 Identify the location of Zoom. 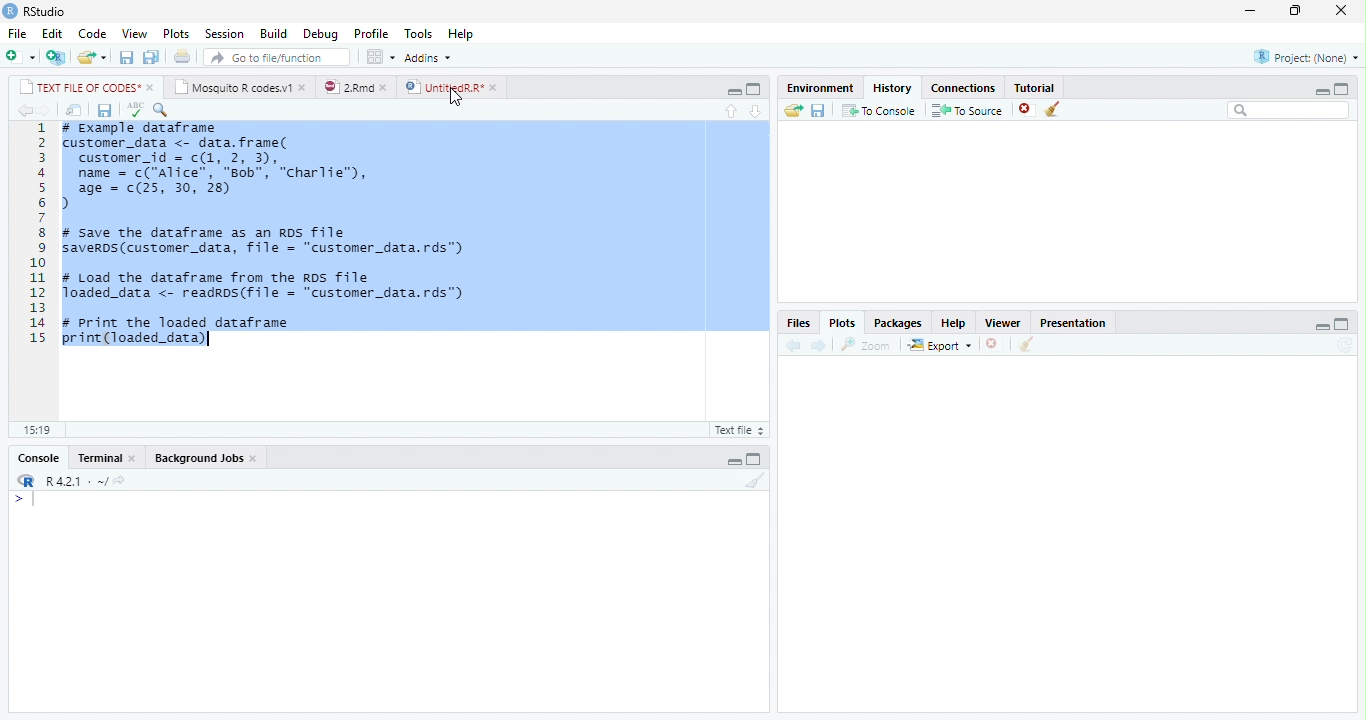
(866, 345).